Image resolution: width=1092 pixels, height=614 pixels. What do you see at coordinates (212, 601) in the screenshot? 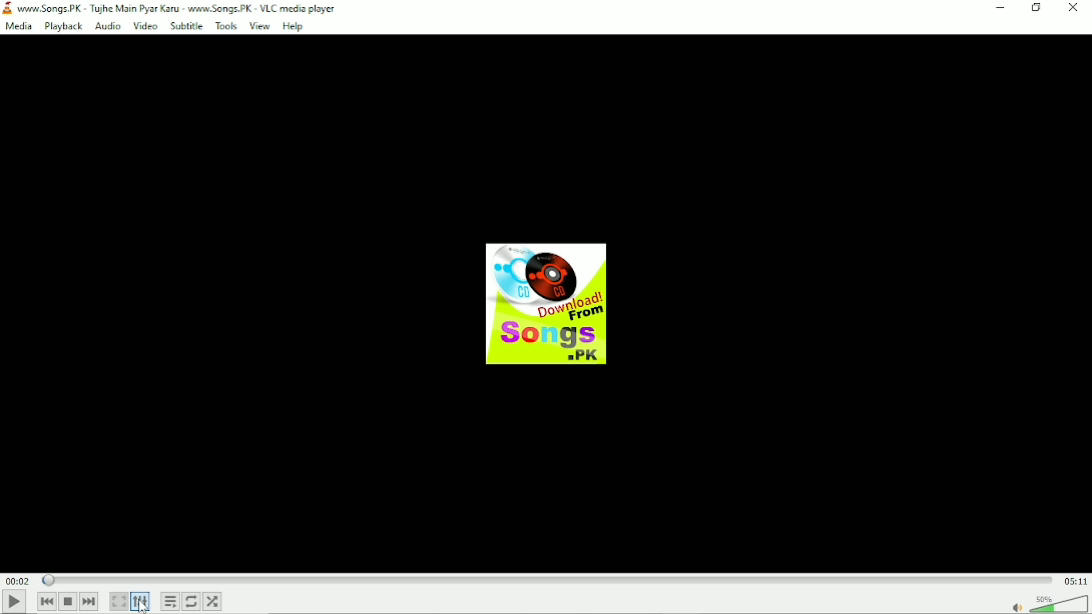
I see `random` at bounding box center [212, 601].